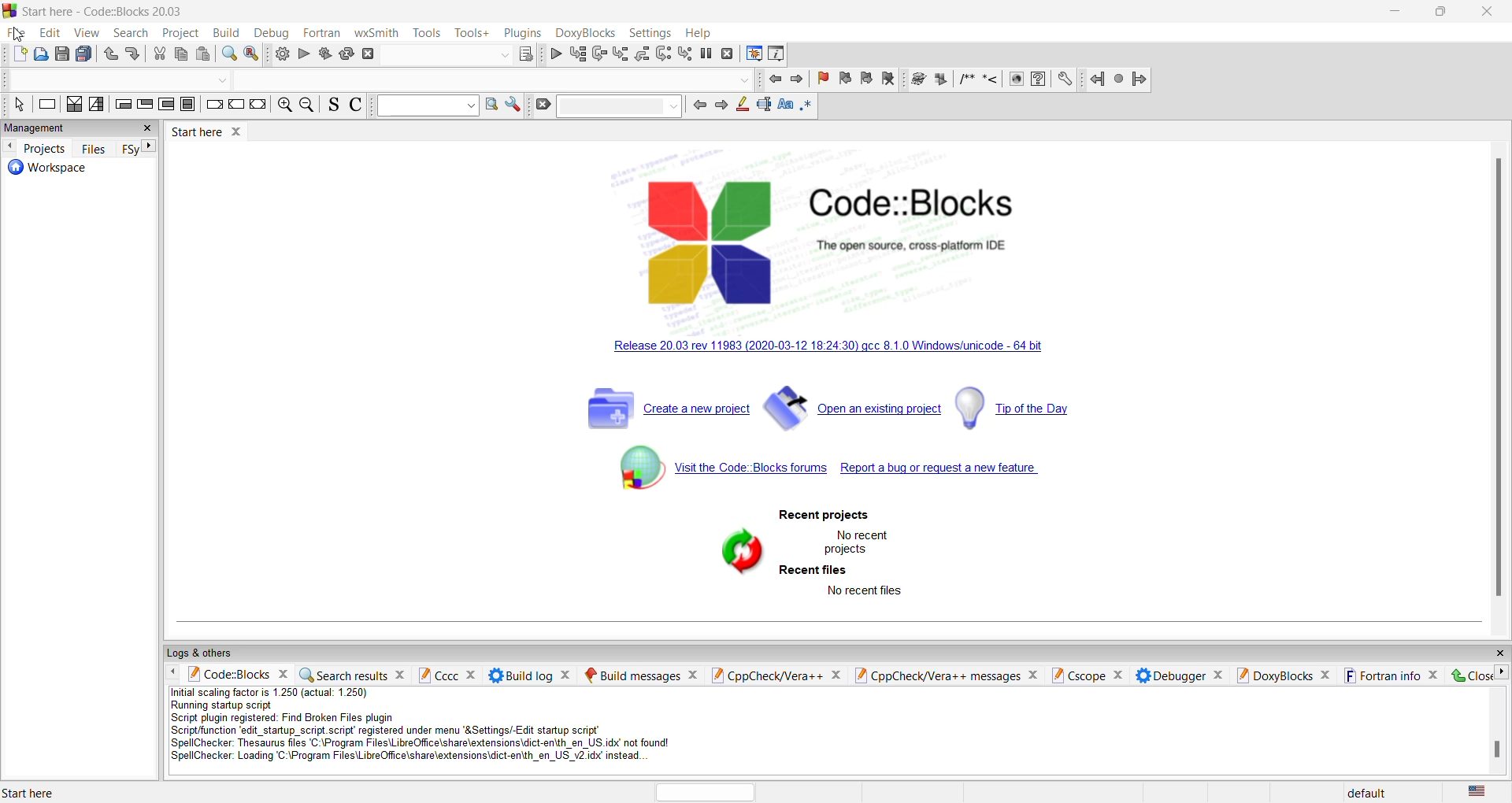  Describe the element at coordinates (271, 33) in the screenshot. I see `debug` at that location.